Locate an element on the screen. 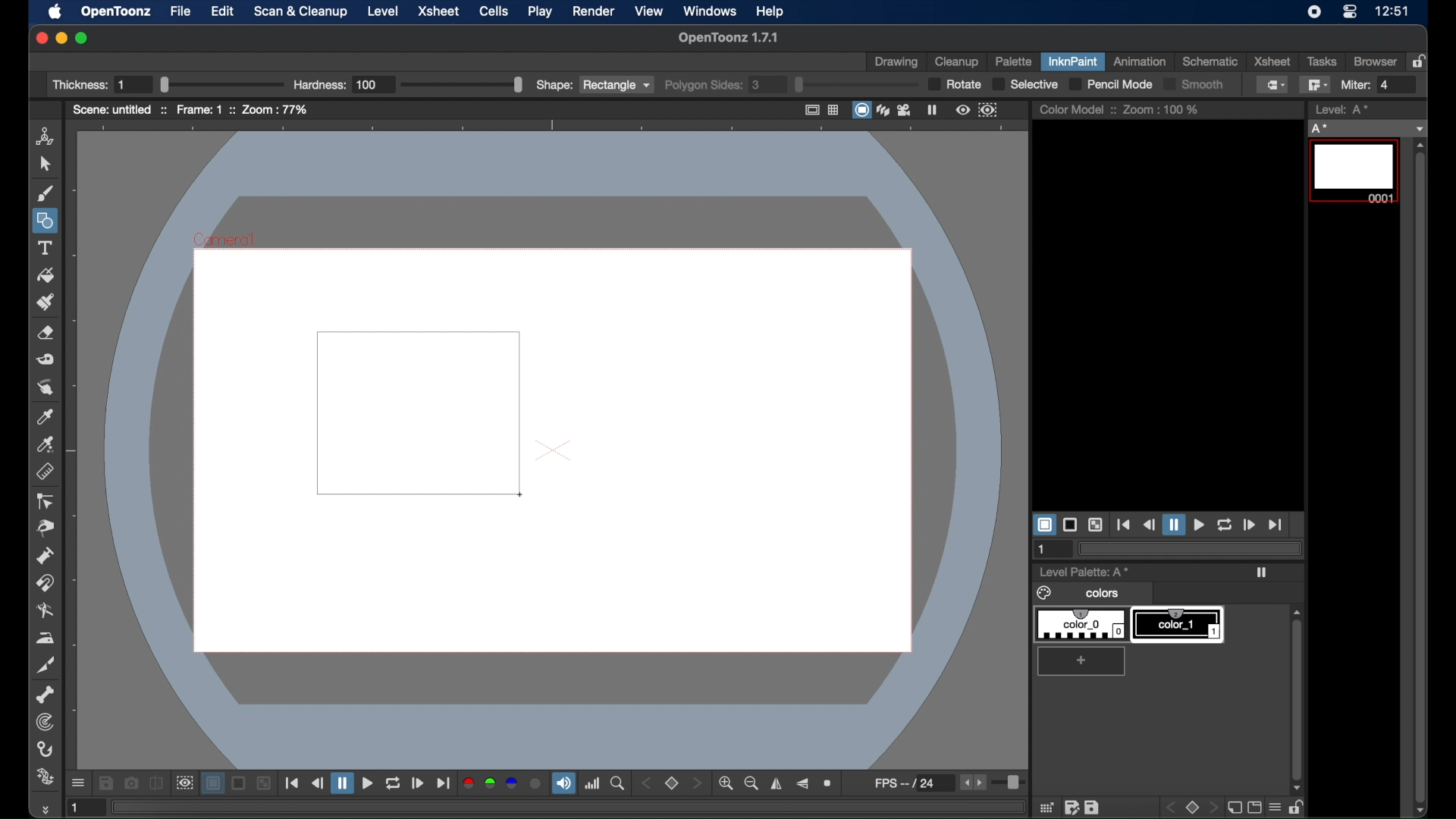  browser is located at coordinates (1376, 61).